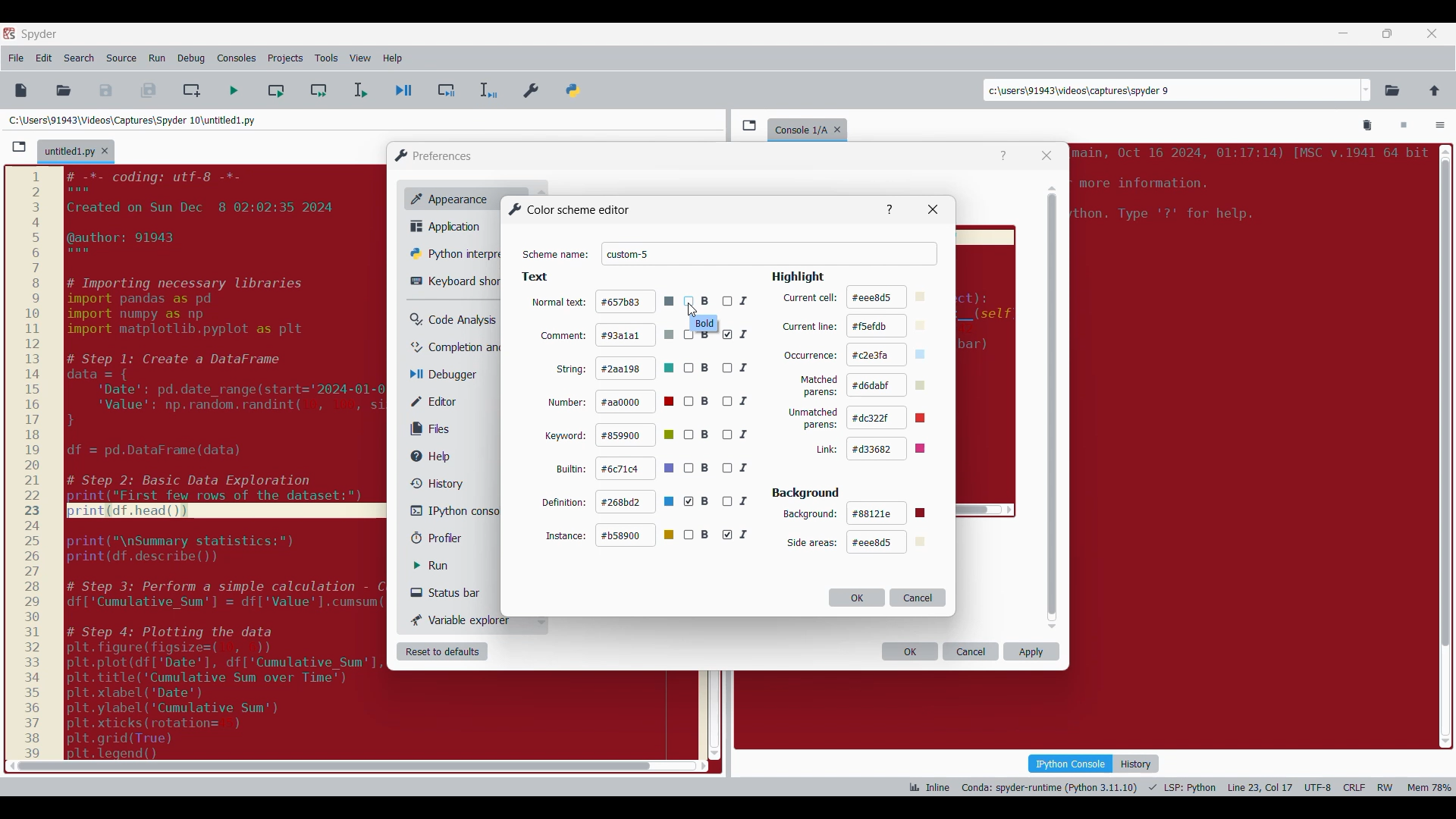 The height and width of the screenshot is (819, 1456). What do you see at coordinates (121, 58) in the screenshot?
I see `Source menu` at bounding box center [121, 58].